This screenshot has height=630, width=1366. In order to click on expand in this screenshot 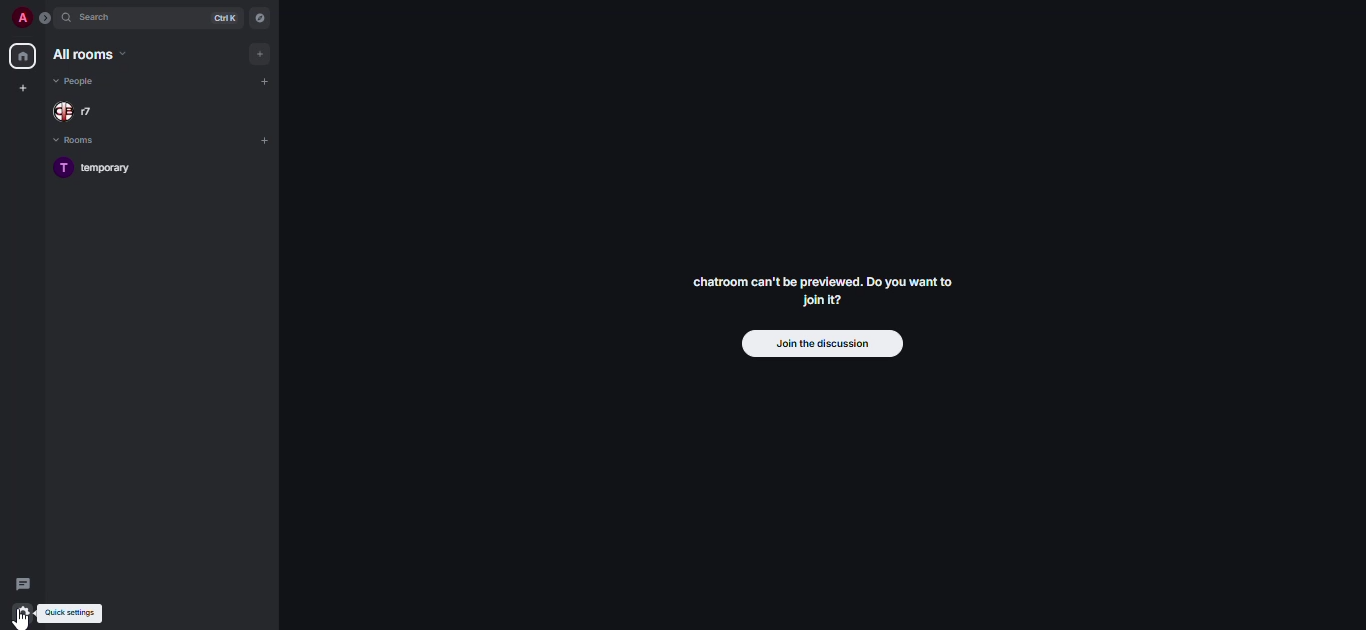, I will do `click(41, 19)`.